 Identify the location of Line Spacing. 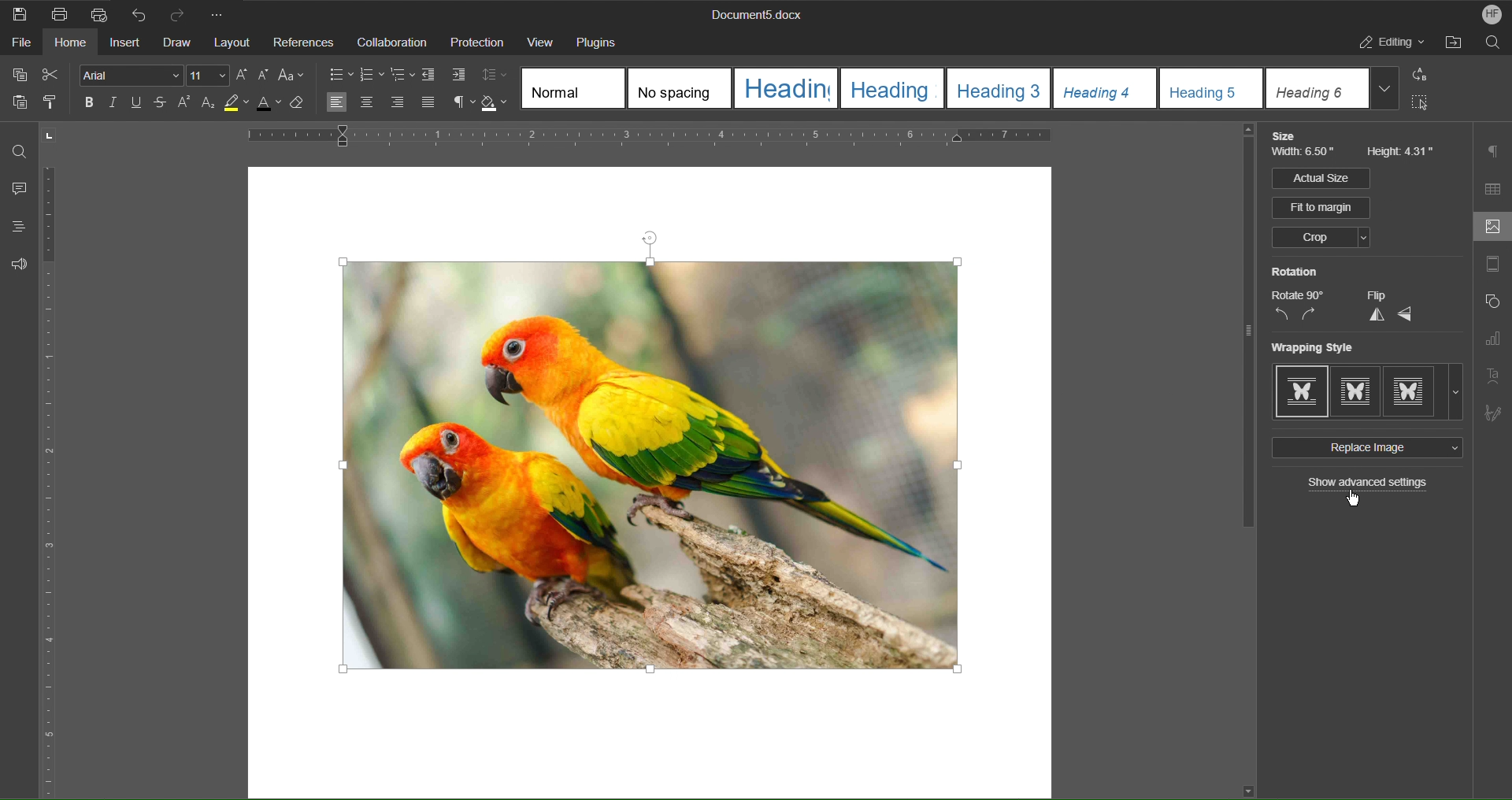
(497, 76).